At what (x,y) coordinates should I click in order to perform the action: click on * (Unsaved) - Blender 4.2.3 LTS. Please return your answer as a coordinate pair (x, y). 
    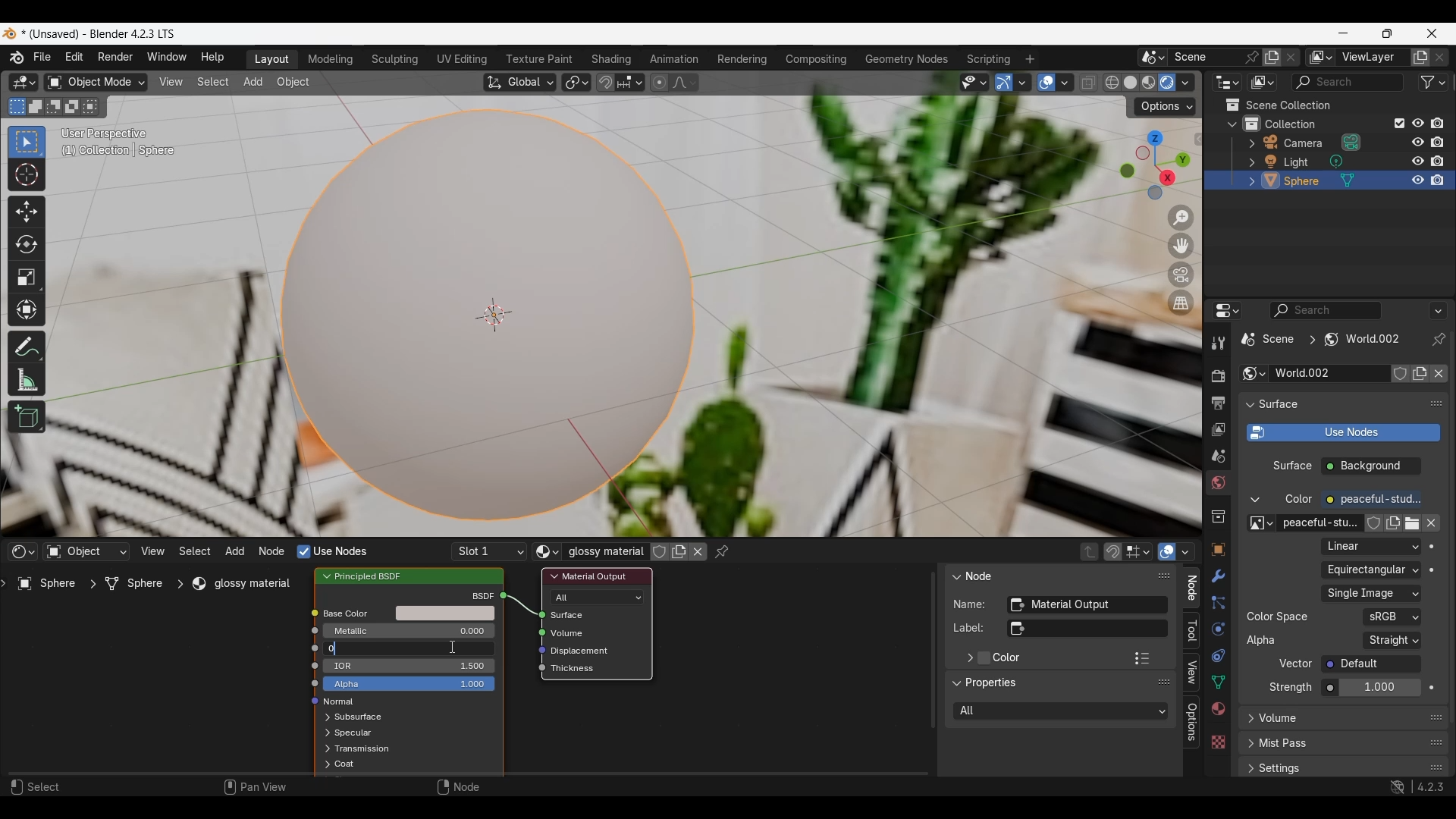
    Looking at the image, I should click on (103, 34).